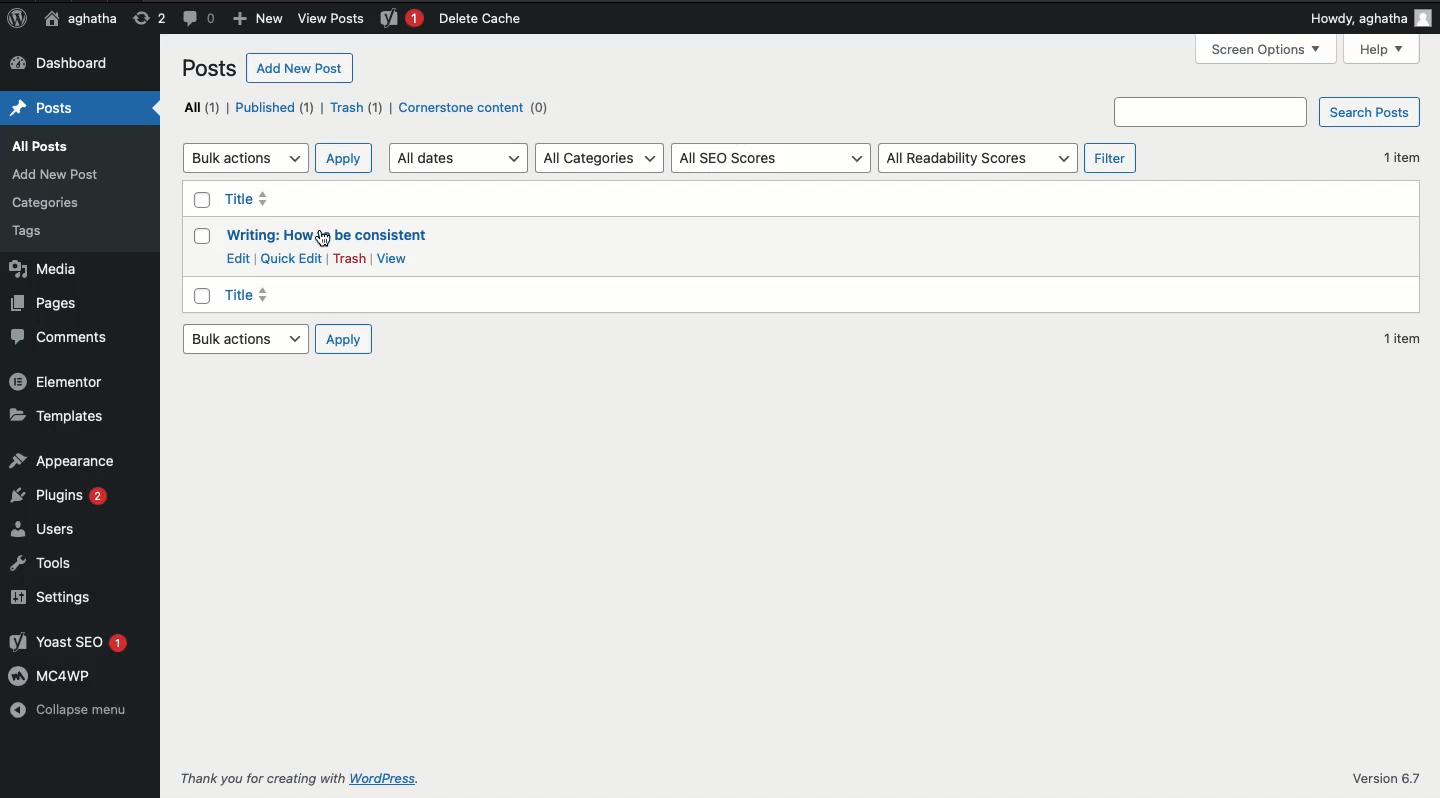 The image size is (1440, 798). What do you see at coordinates (65, 338) in the screenshot?
I see `Comments` at bounding box center [65, 338].